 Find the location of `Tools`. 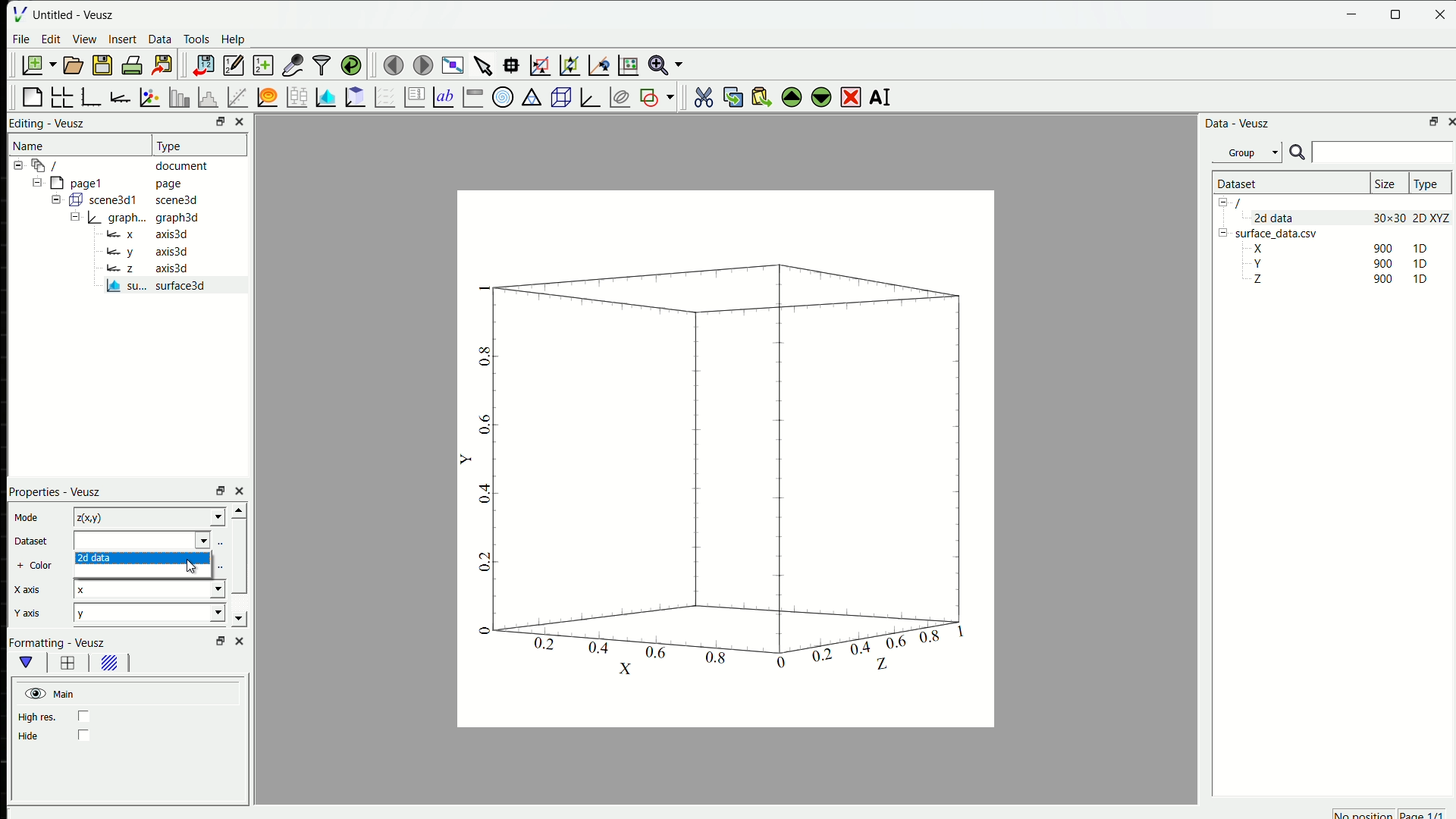

Tools is located at coordinates (198, 39).